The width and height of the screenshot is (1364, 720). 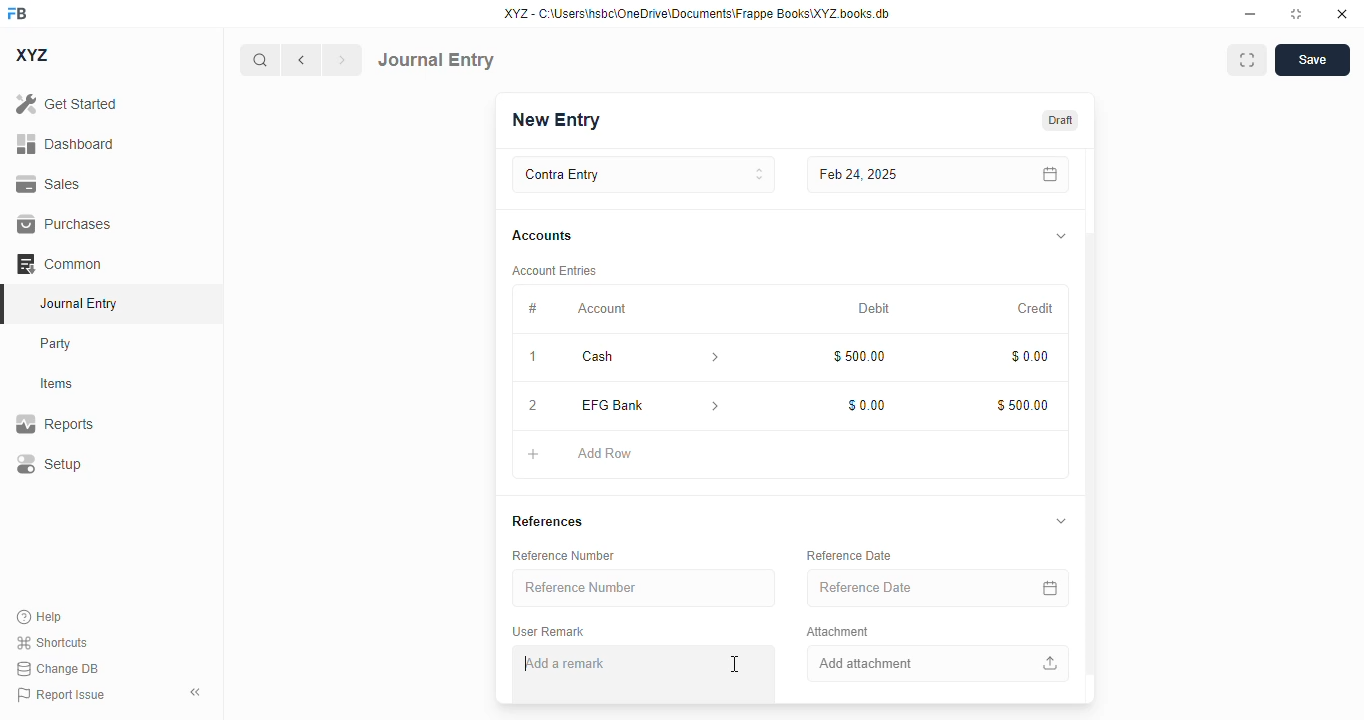 What do you see at coordinates (343, 60) in the screenshot?
I see `next` at bounding box center [343, 60].